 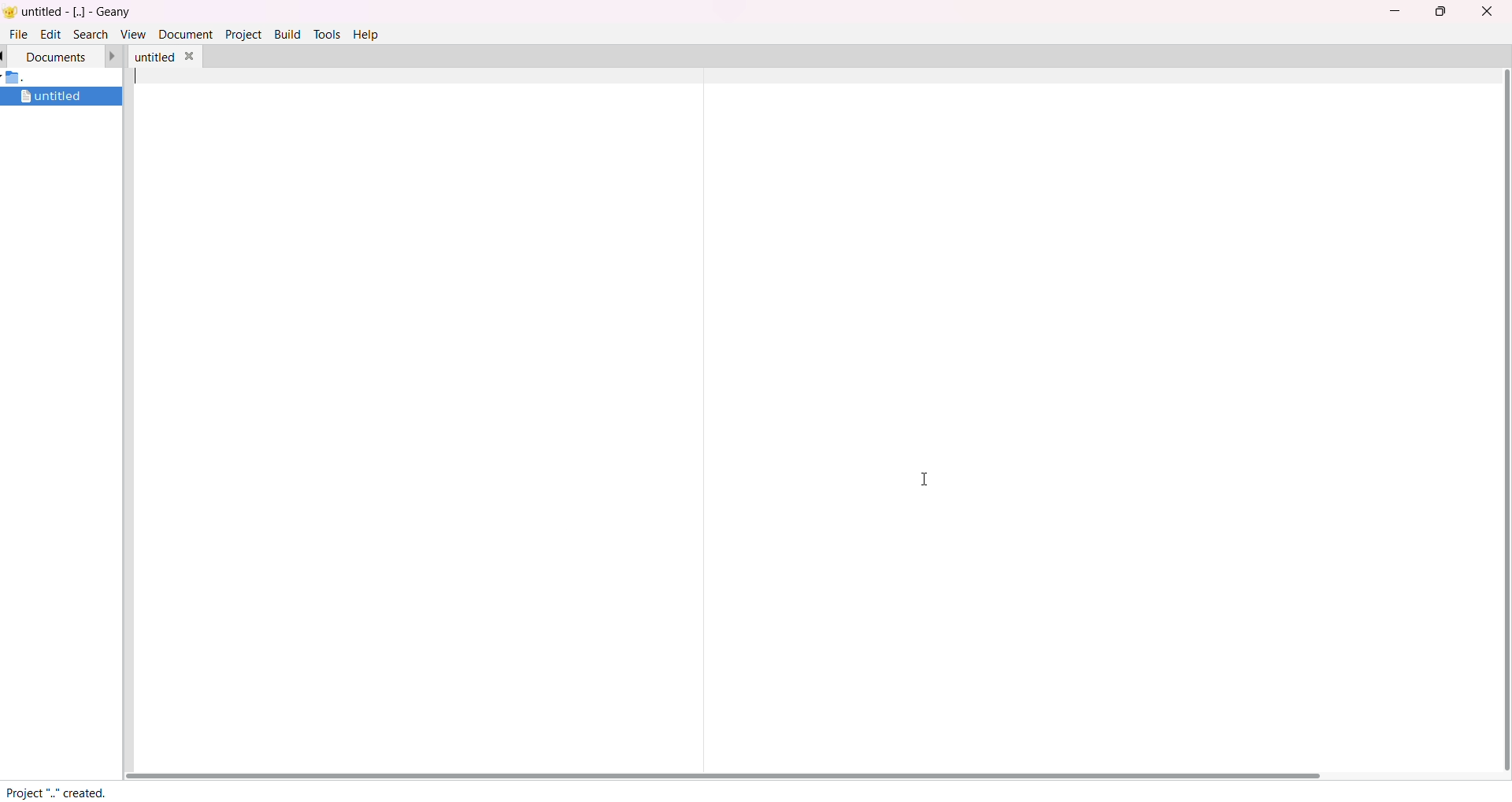 What do you see at coordinates (701, 418) in the screenshot?
I see `seperator` at bounding box center [701, 418].